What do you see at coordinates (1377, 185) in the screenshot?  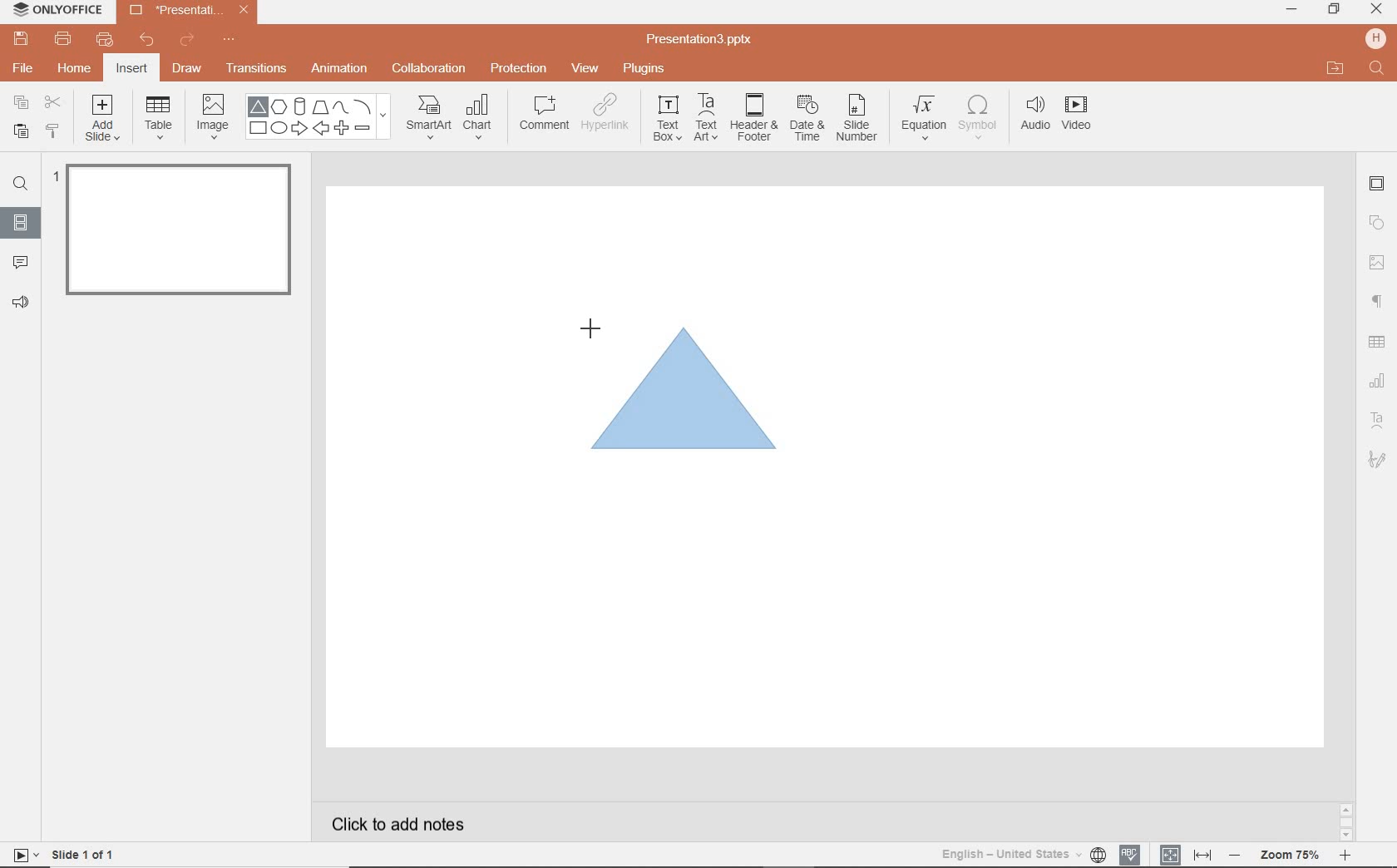 I see `SLIDE SETTINGS` at bounding box center [1377, 185].